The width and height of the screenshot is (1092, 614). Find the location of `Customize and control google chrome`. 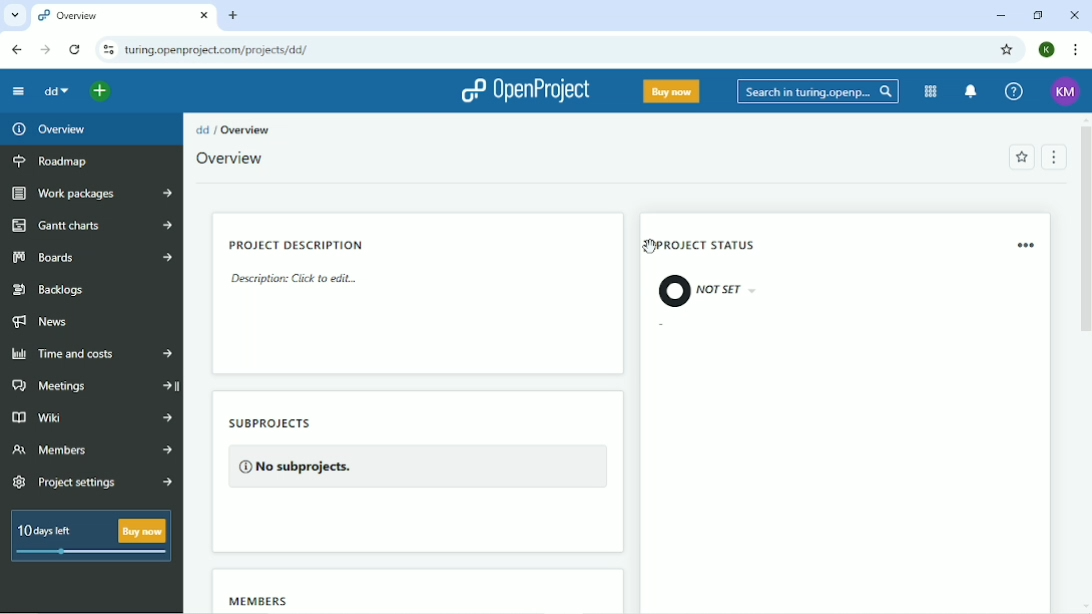

Customize and control google chrome is located at coordinates (1077, 49).